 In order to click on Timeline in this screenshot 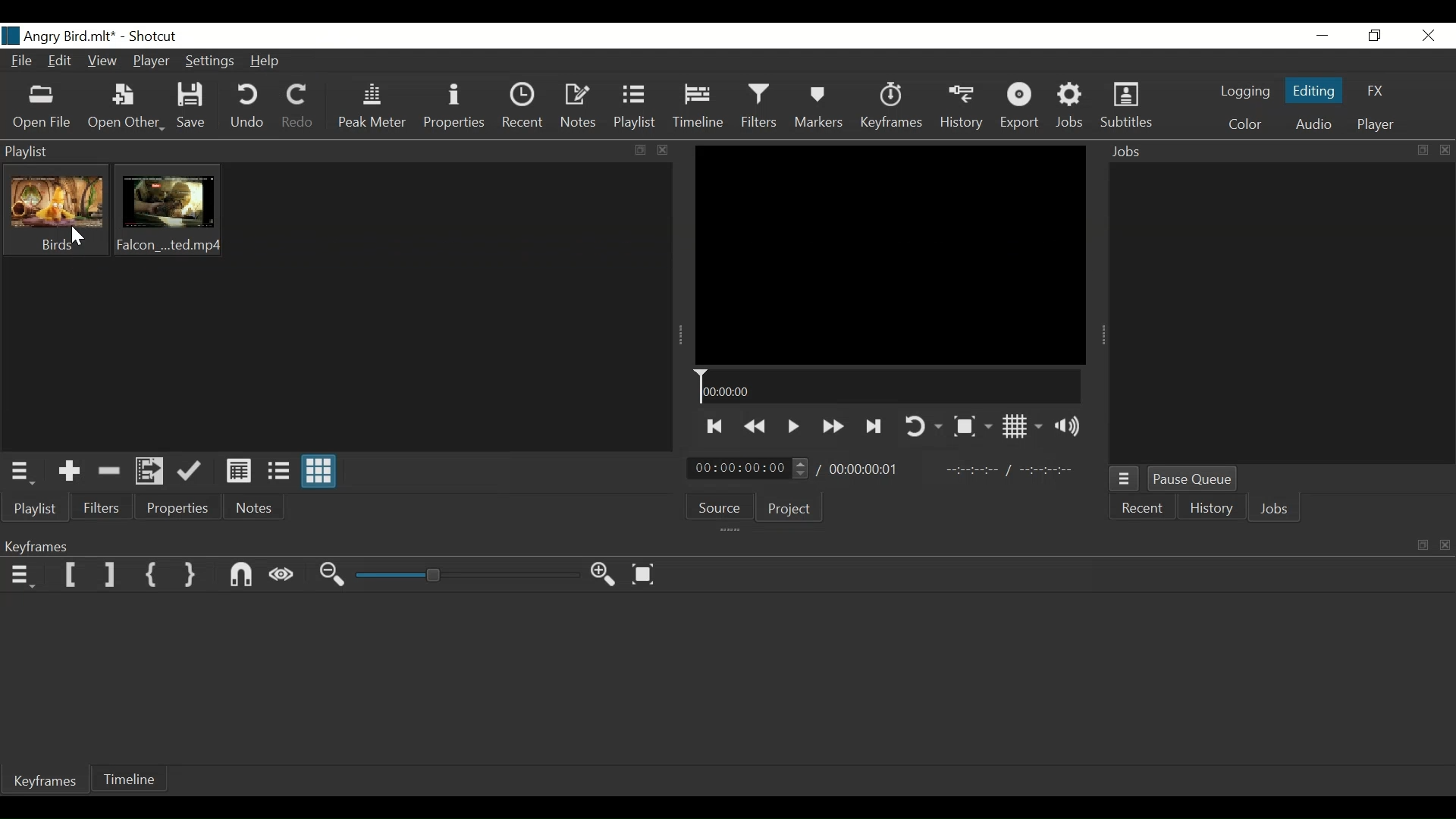, I will do `click(888, 387)`.